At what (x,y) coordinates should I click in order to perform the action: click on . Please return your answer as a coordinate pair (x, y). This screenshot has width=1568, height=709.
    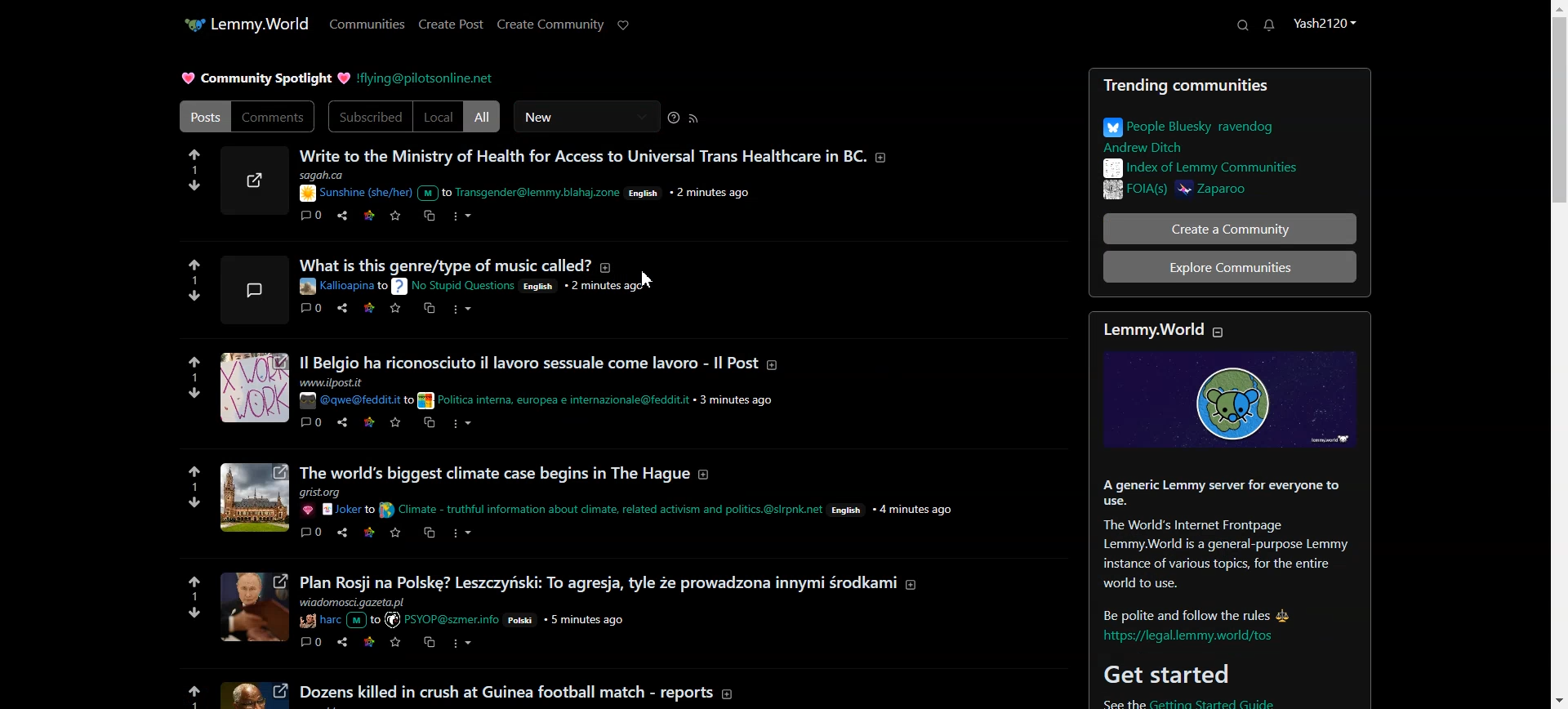
    Looking at the image, I should click on (256, 496).